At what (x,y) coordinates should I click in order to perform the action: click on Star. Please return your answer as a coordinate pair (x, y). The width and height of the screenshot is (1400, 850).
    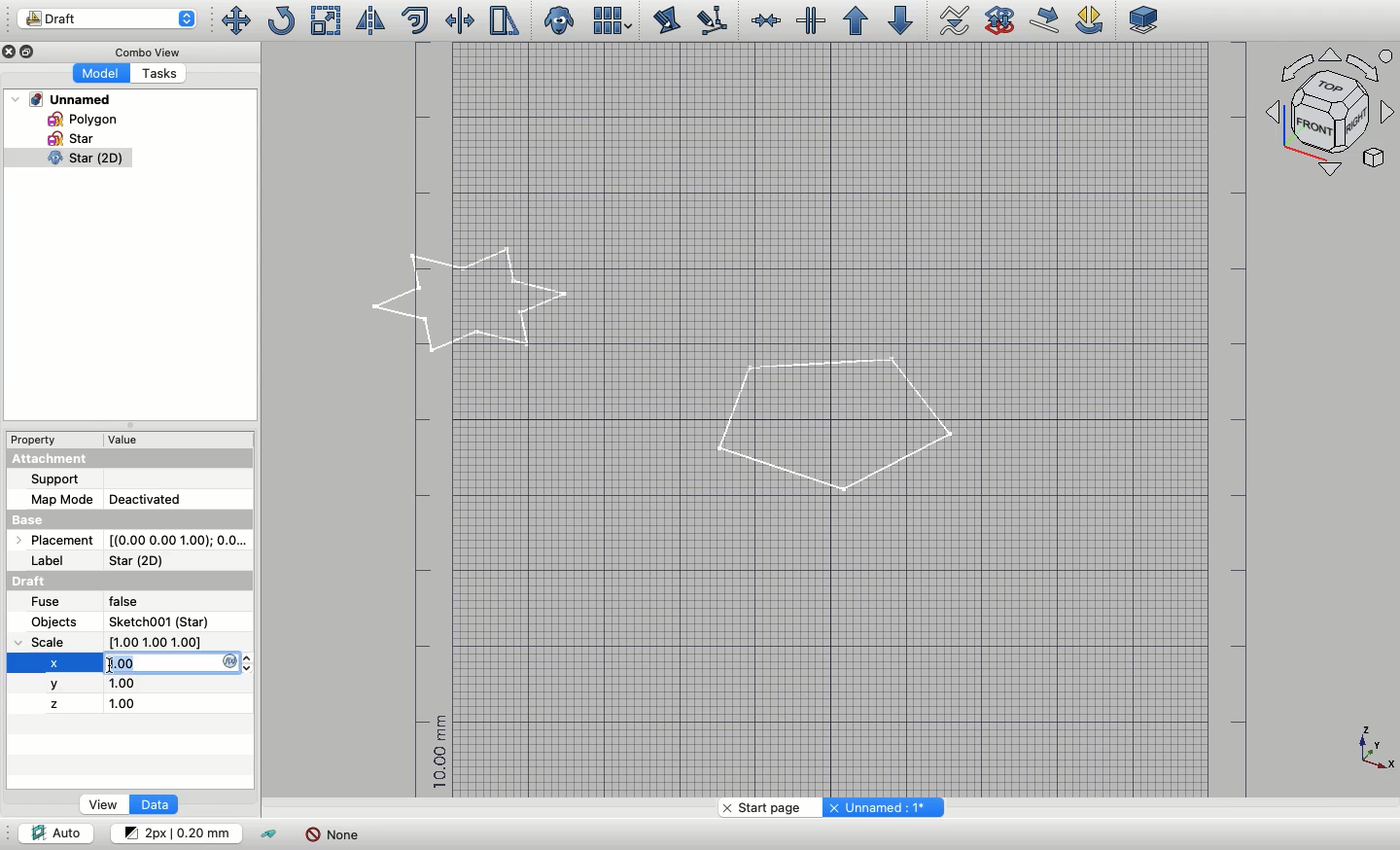
    Looking at the image, I should click on (73, 138).